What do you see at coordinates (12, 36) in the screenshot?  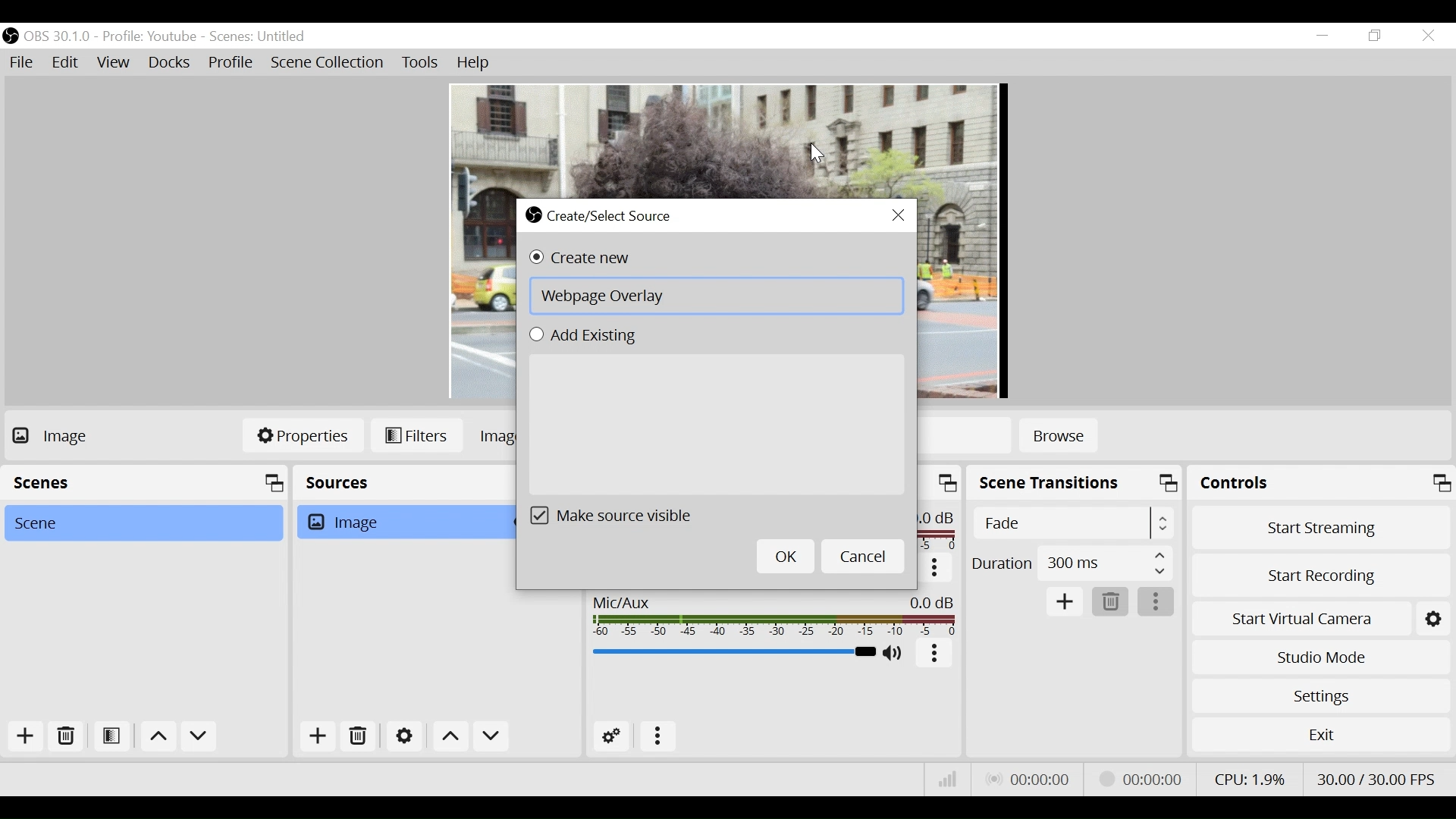 I see `OBS Studio Desktop Icon` at bounding box center [12, 36].